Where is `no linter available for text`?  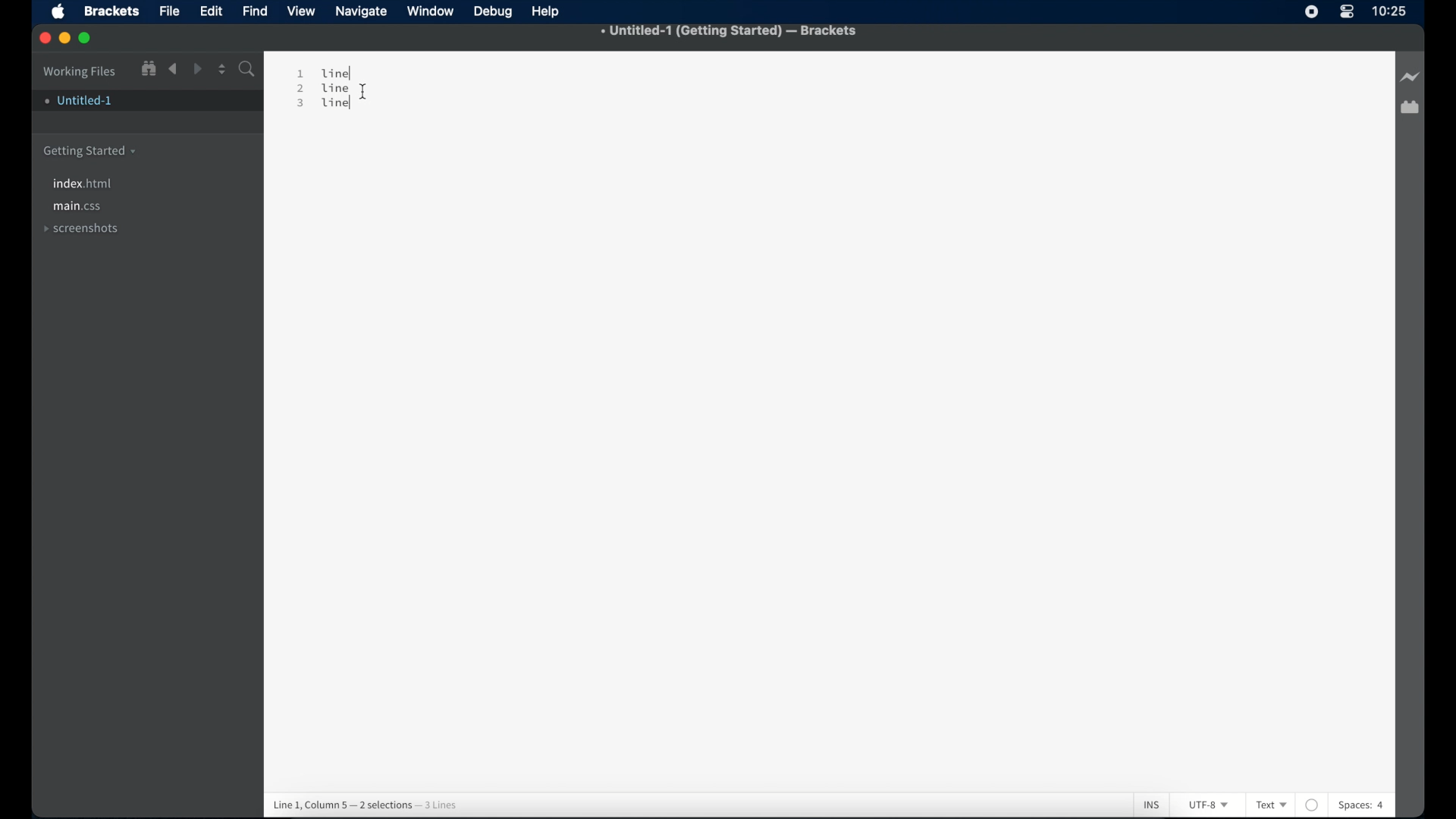
no linter available for text is located at coordinates (1311, 799).